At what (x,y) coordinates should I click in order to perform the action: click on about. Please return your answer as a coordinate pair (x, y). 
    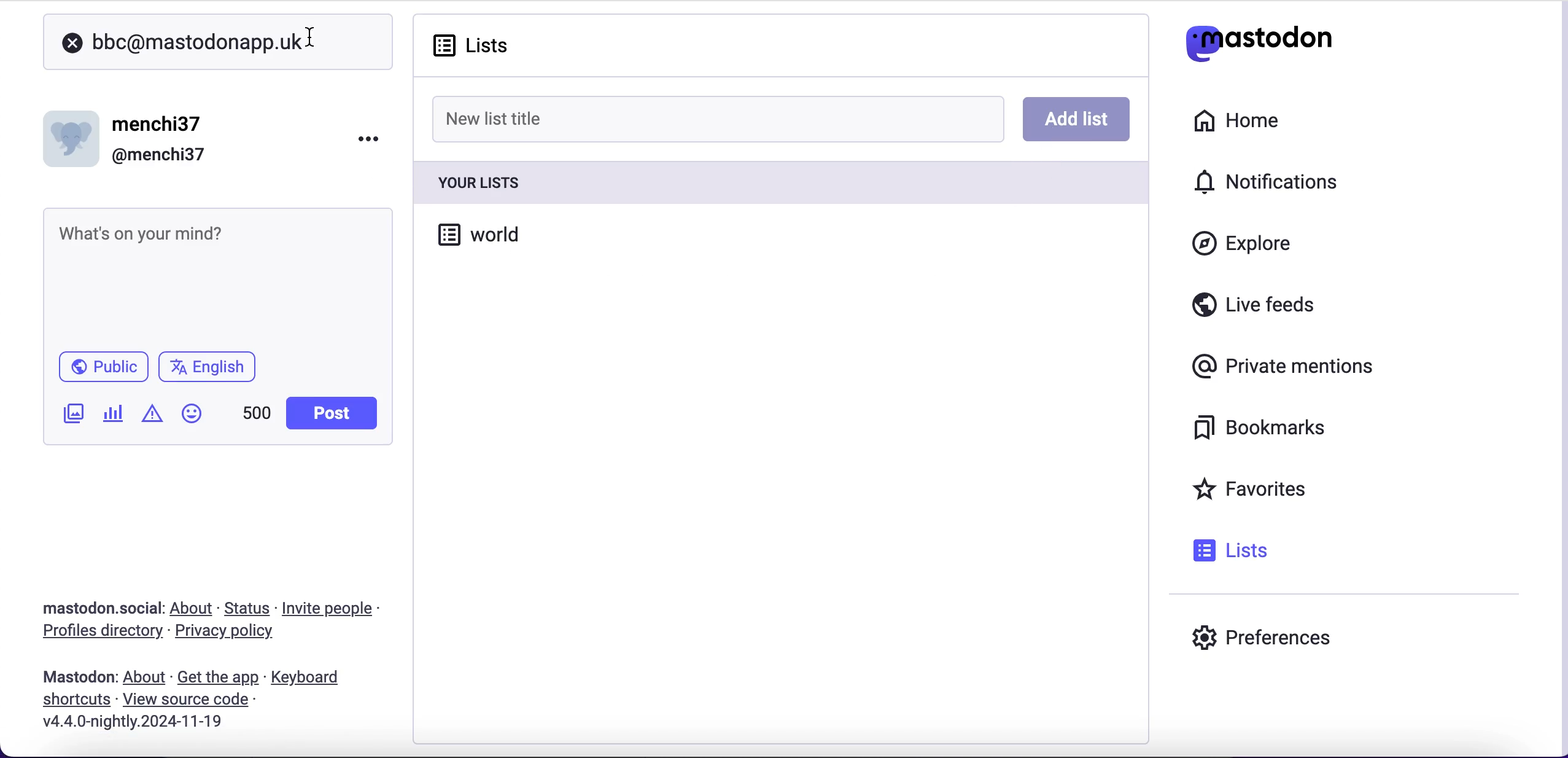
    Looking at the image, I should click on (147, 678).